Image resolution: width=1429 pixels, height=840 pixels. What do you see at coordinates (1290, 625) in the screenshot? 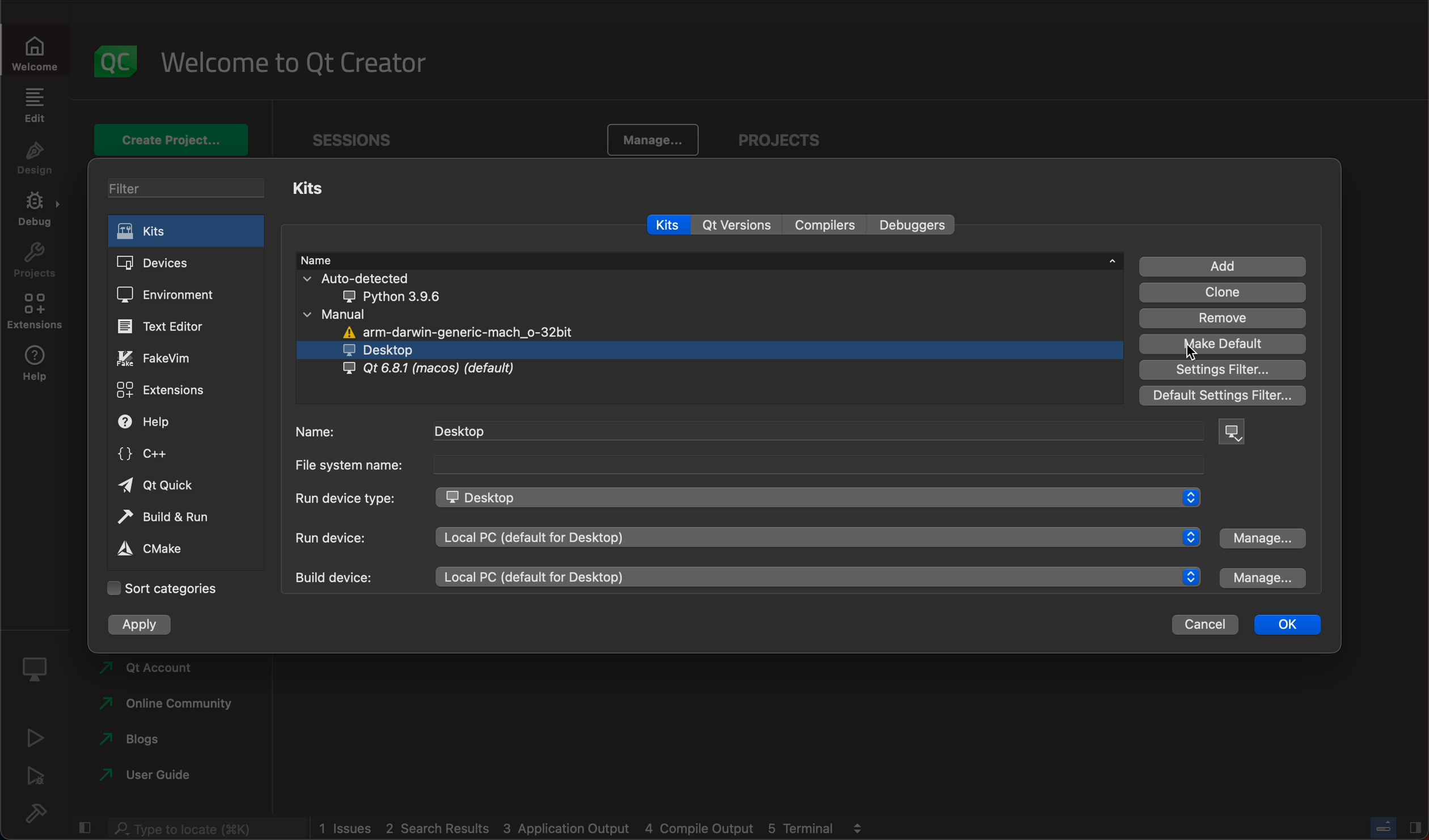
I see `ok` at bounding box center [1290, 625].